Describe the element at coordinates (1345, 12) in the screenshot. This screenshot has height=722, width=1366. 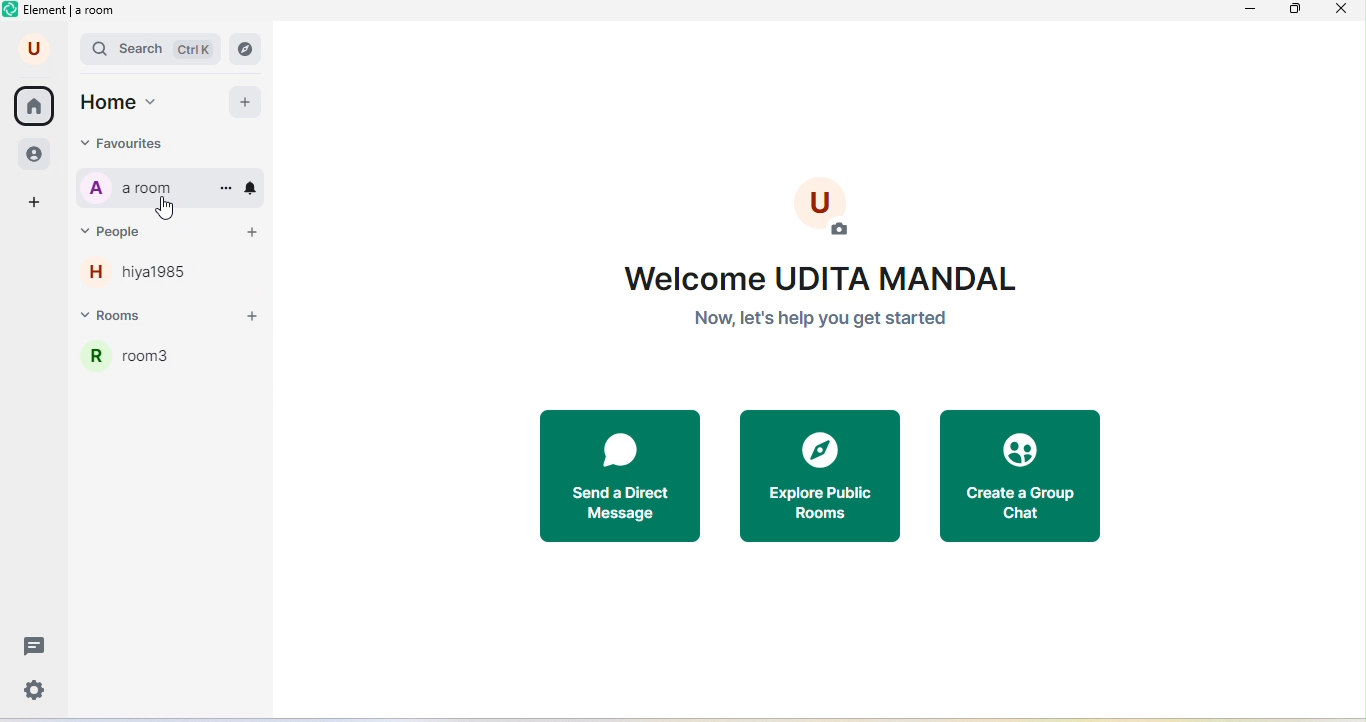
I see `close` at that location.